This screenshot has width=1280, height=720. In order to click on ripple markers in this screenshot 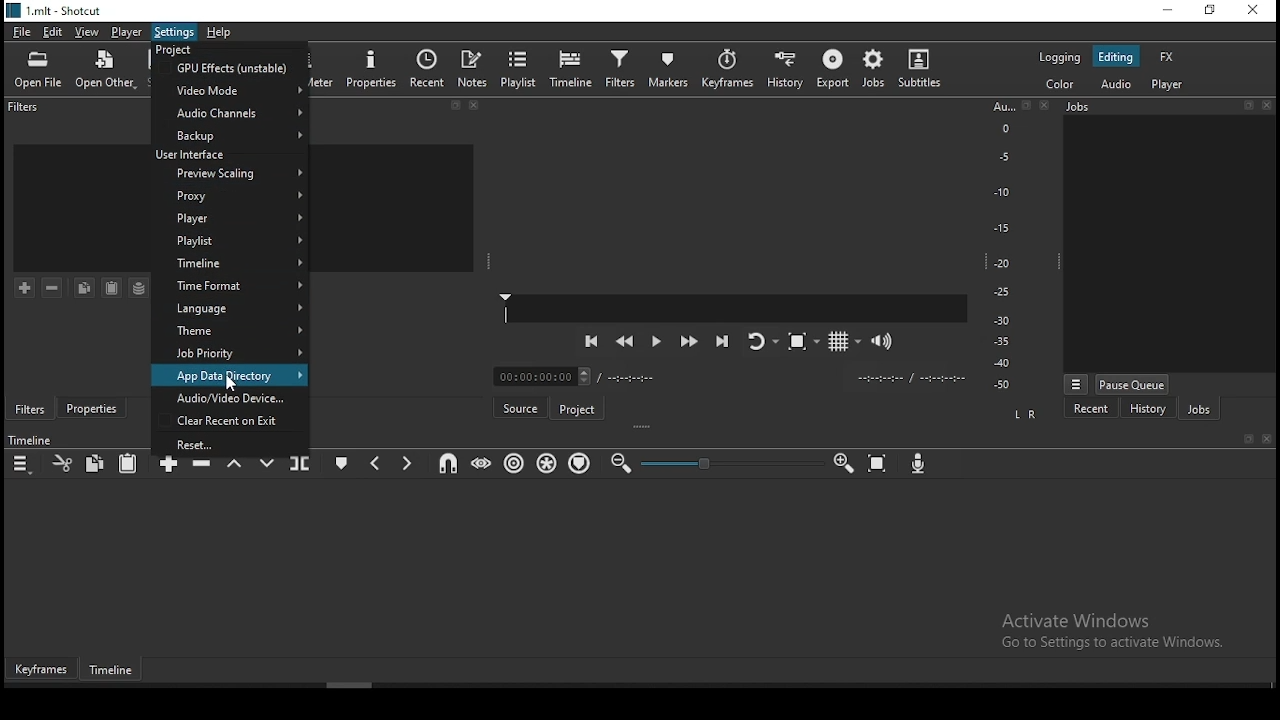, I will do `click(579, 464)`.